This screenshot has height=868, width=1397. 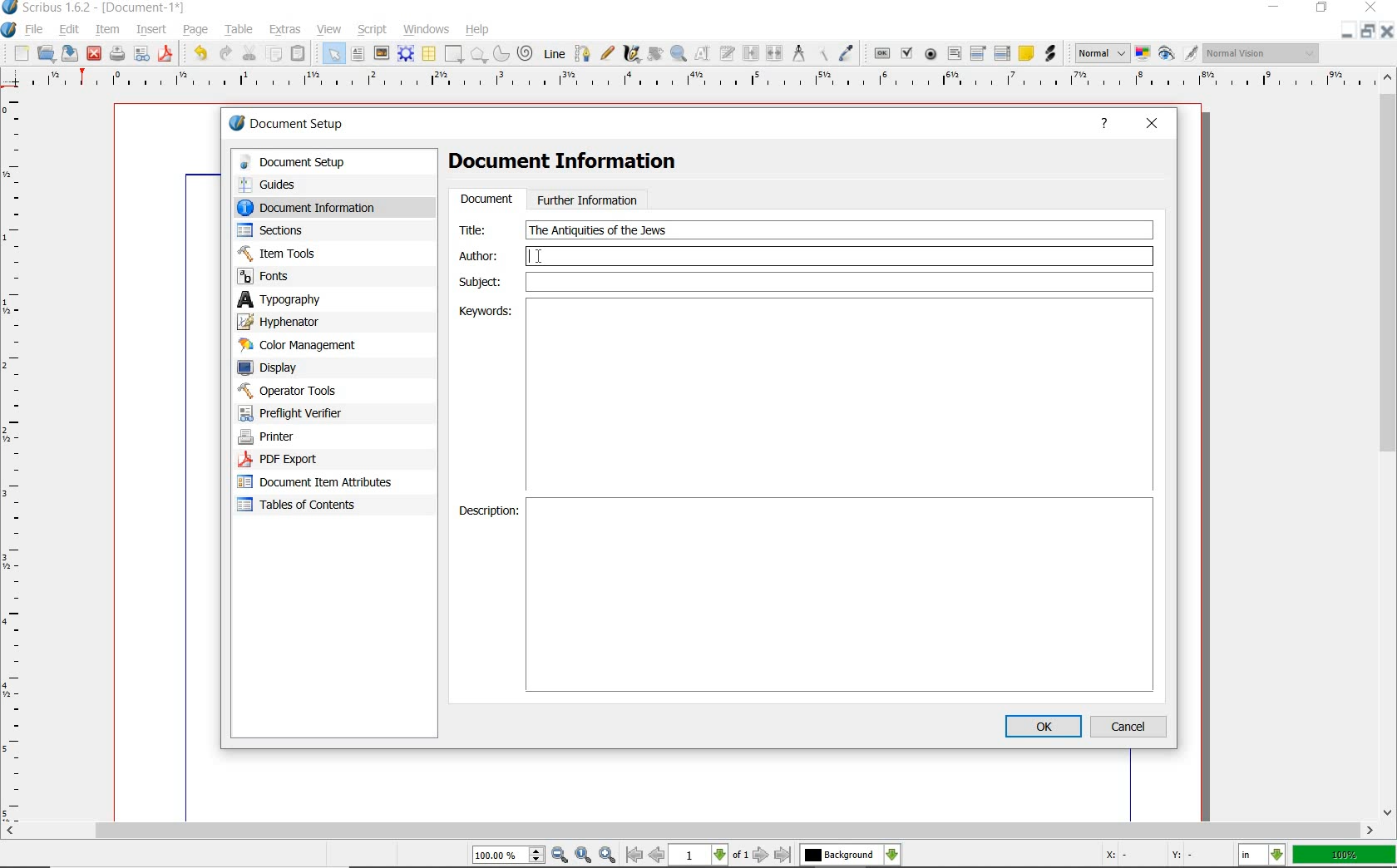 I want to click on help, so click(x=480, y=28).